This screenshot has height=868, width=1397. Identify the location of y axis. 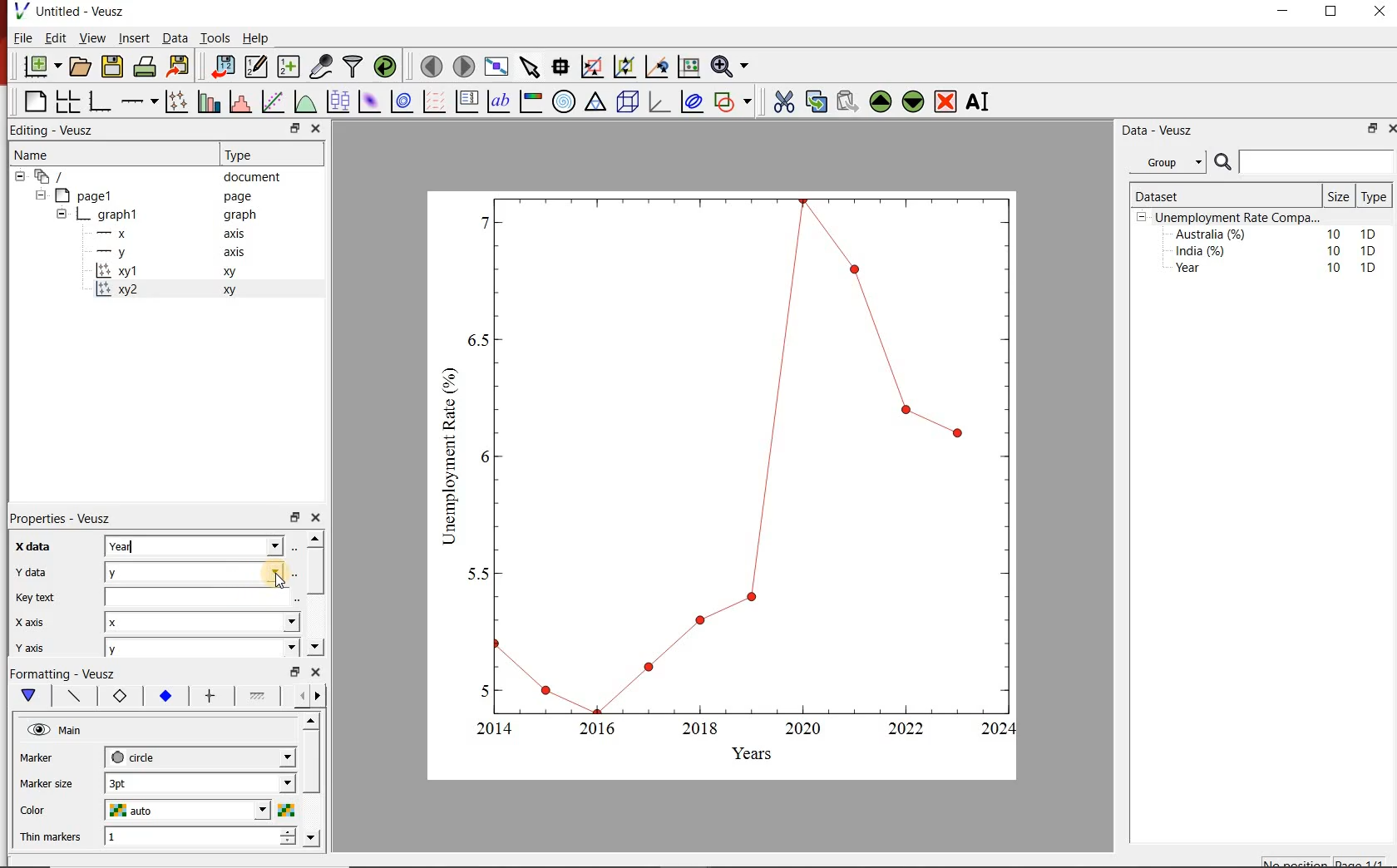
(41, 645).